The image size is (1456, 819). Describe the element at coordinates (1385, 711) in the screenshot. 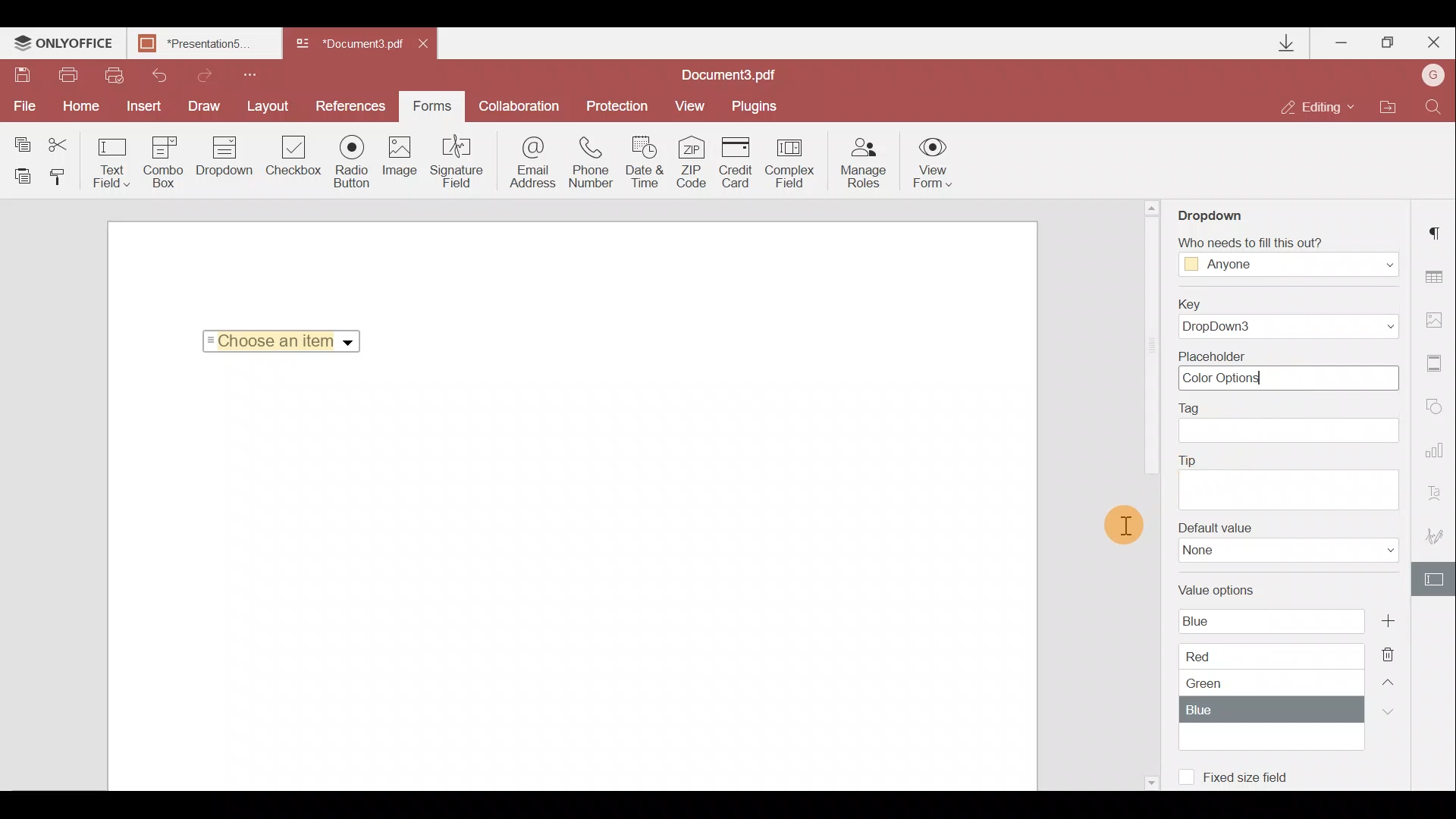

I see `Down` at that location.